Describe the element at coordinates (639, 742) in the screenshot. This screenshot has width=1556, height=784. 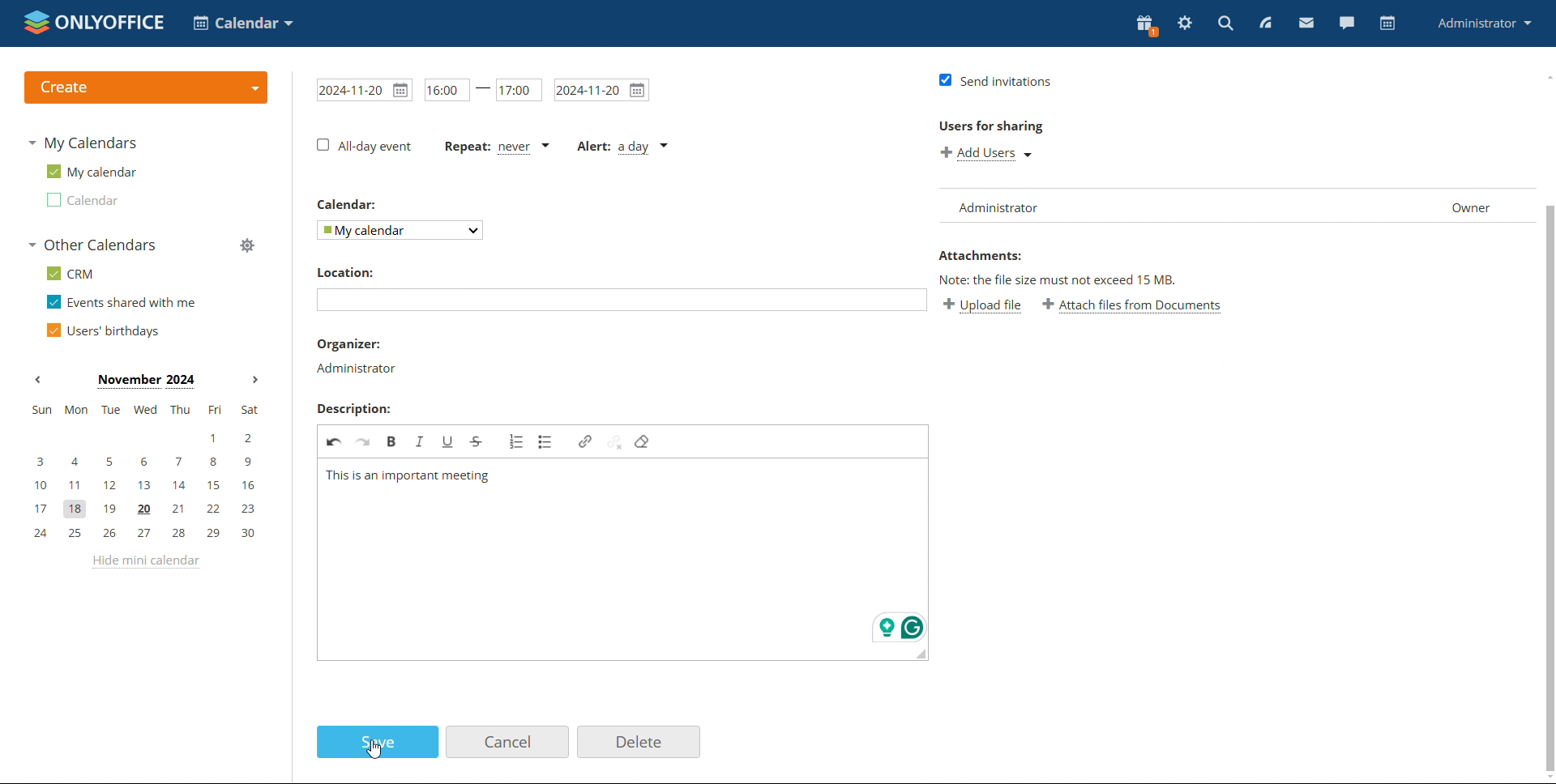
I see `delete` at that location.